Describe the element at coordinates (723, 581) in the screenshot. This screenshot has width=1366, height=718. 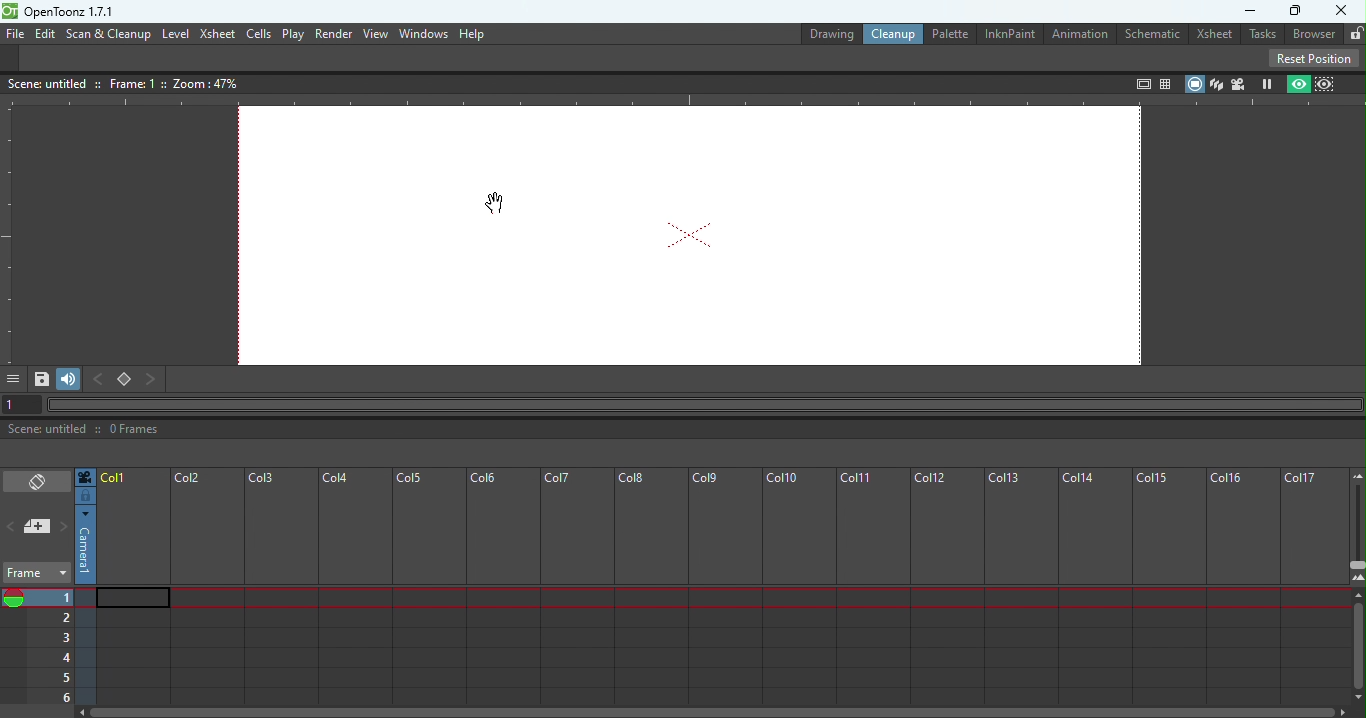
I see `Frame` at that location.